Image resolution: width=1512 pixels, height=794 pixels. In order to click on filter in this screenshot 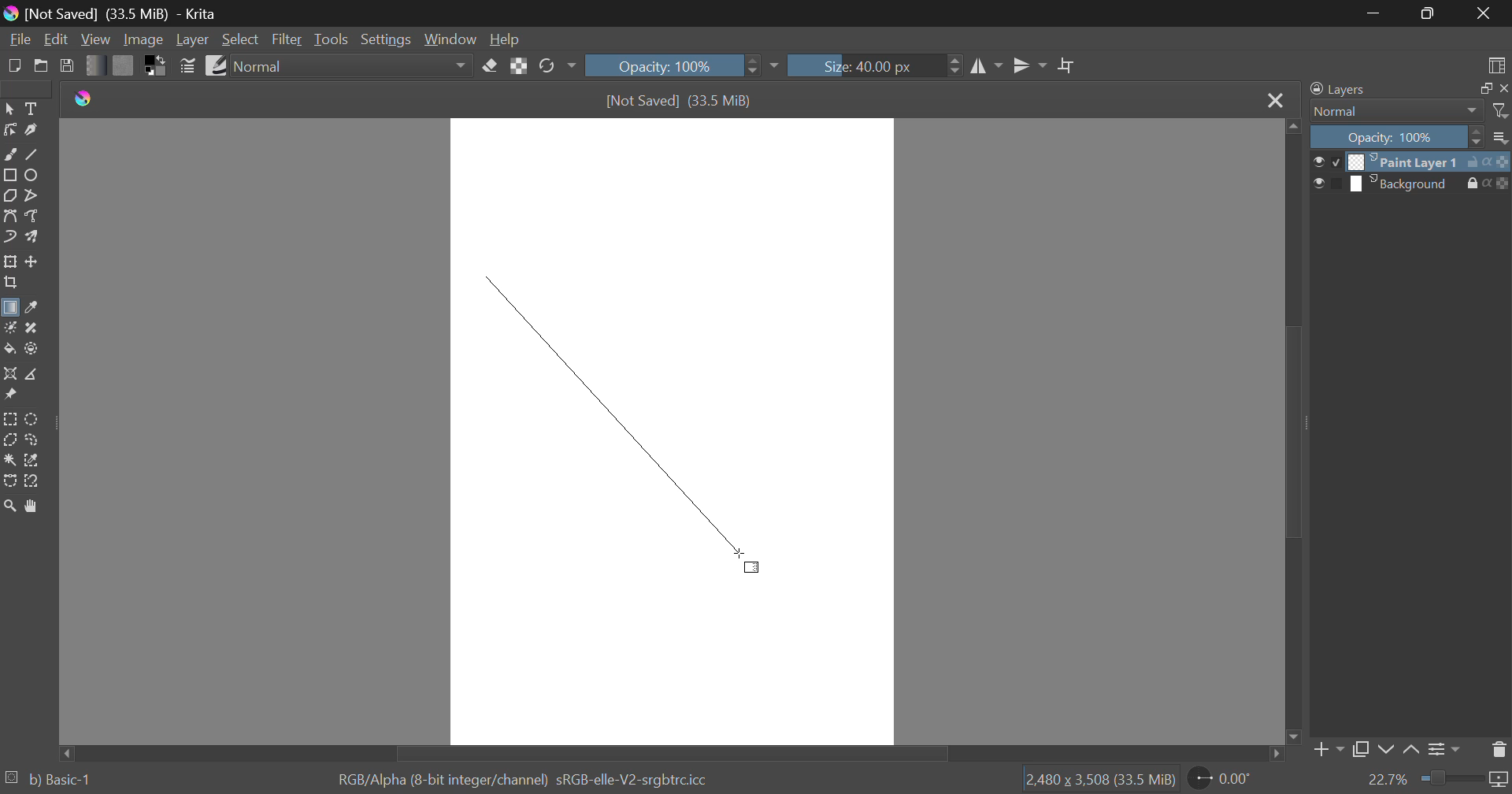, I will do `click(1502, 111)`.